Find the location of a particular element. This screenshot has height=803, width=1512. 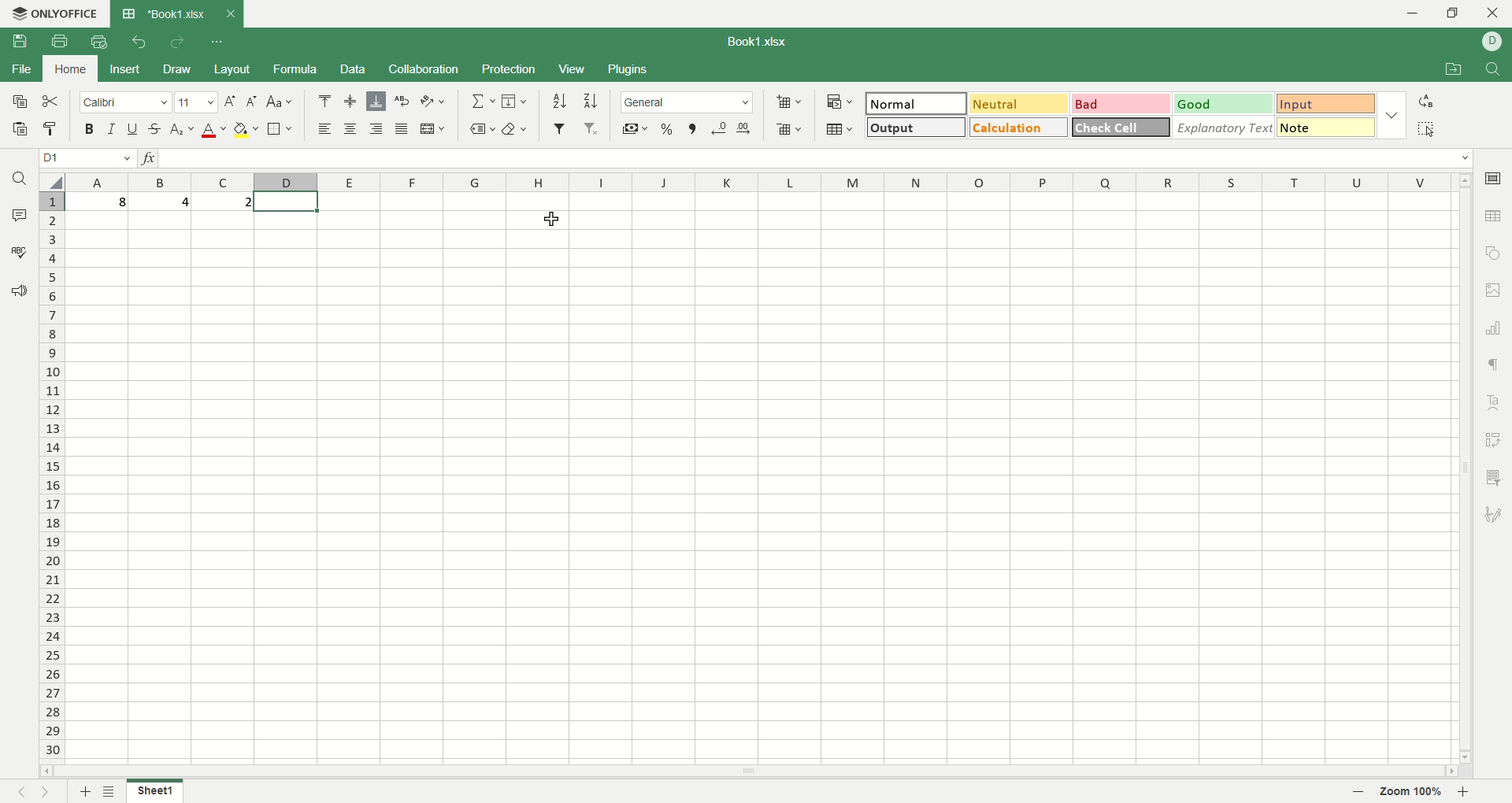

Book1.xlsx is located at coordinates (755, 42).